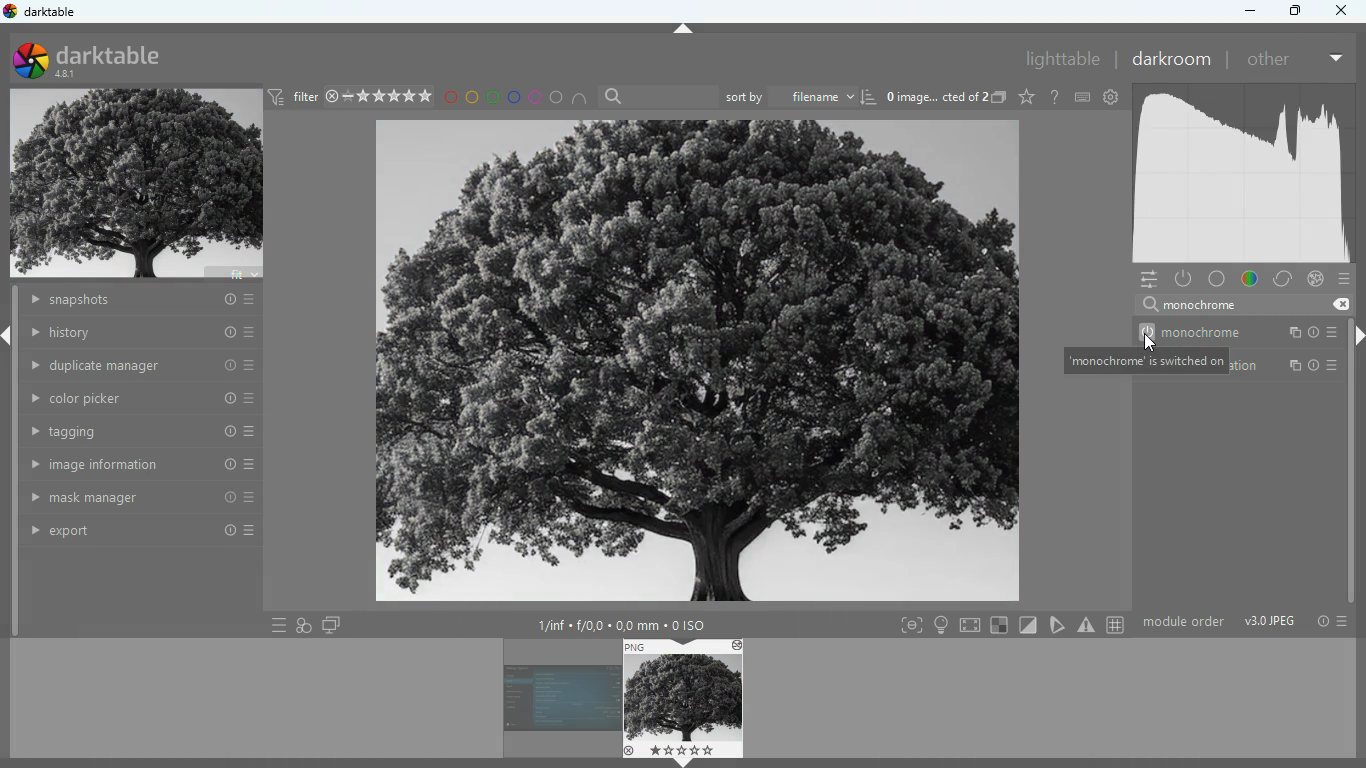 Image resolution: width=1366 pixels, height=768 pixels. I want to click on frame, so click(908, 626).